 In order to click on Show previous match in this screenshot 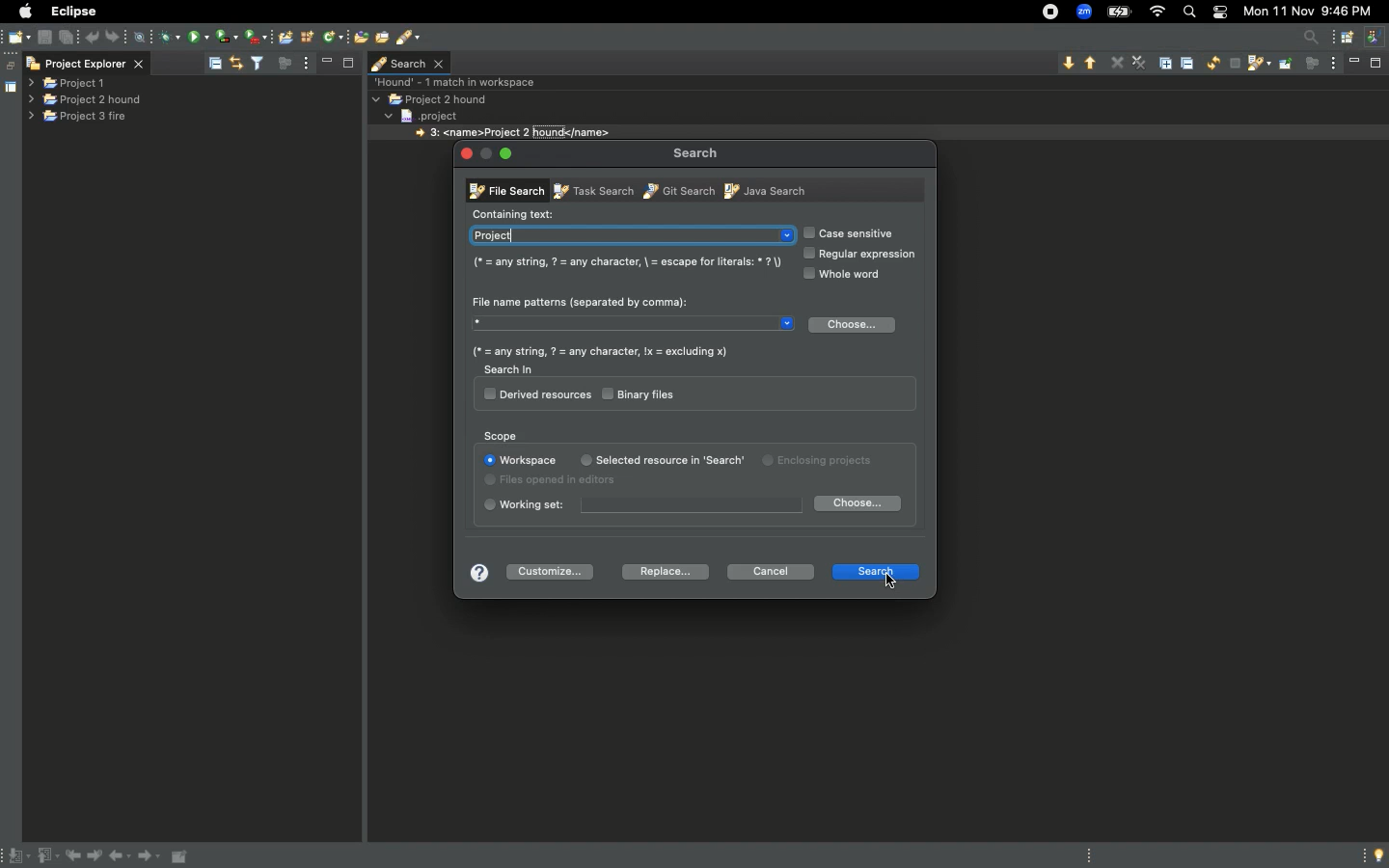, I will do `click(1091, 65)`.